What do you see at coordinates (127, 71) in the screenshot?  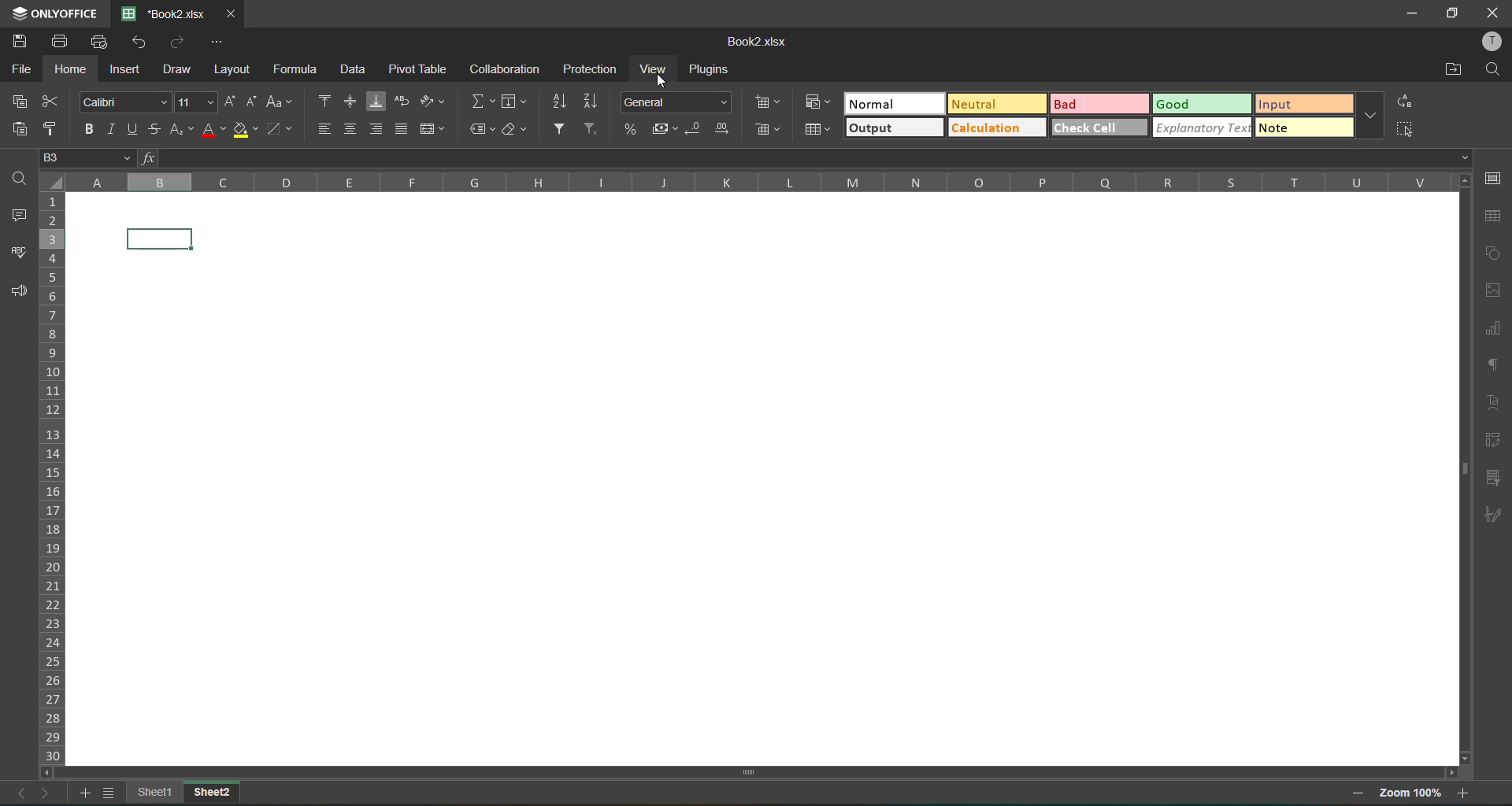 I see `insert` at bounding box center [127, 71].